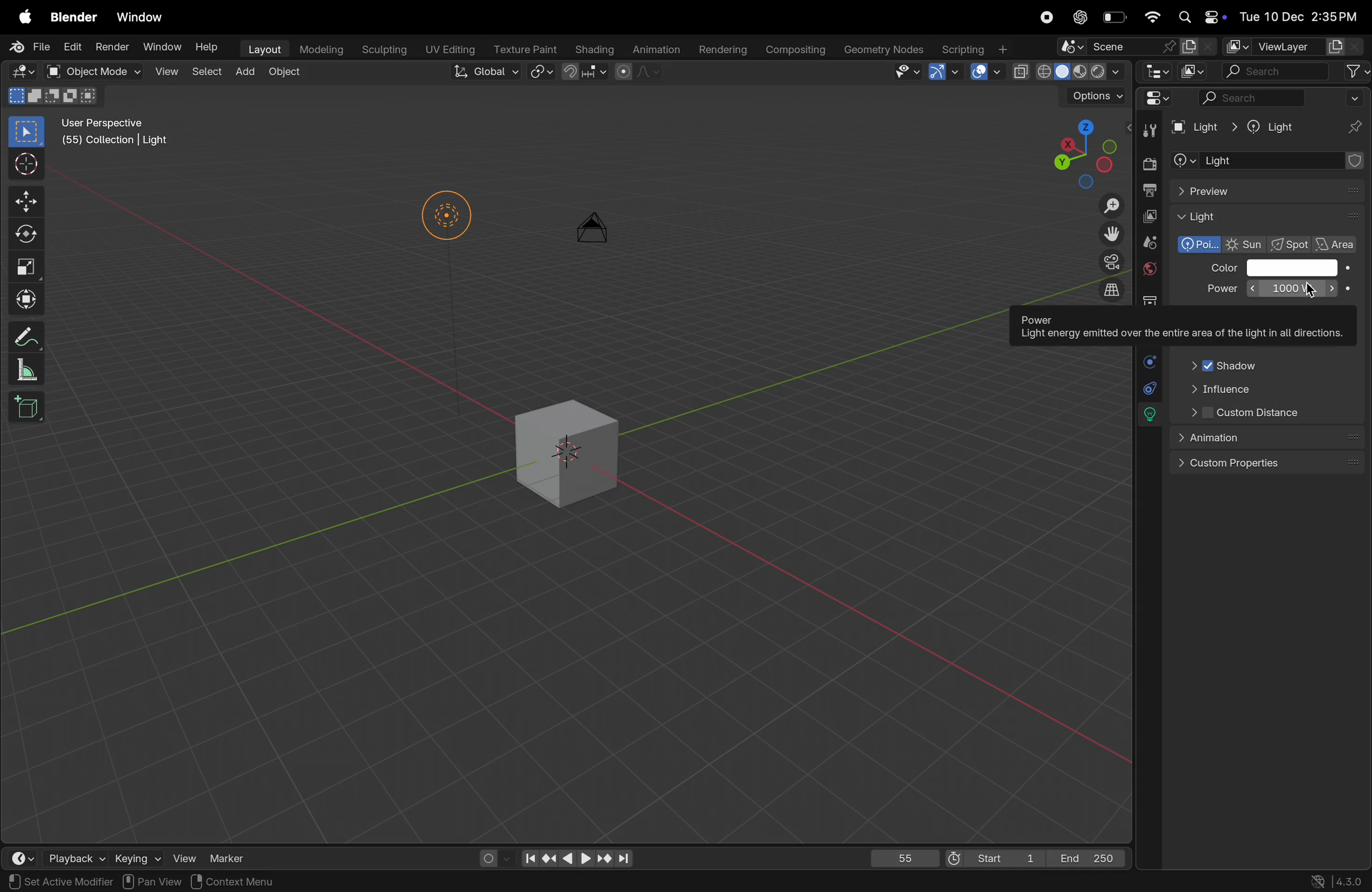  What do you see at coordinates (1114, 207) in the screenshot?
I see `Zoom` at bounding box center [1114, 207].